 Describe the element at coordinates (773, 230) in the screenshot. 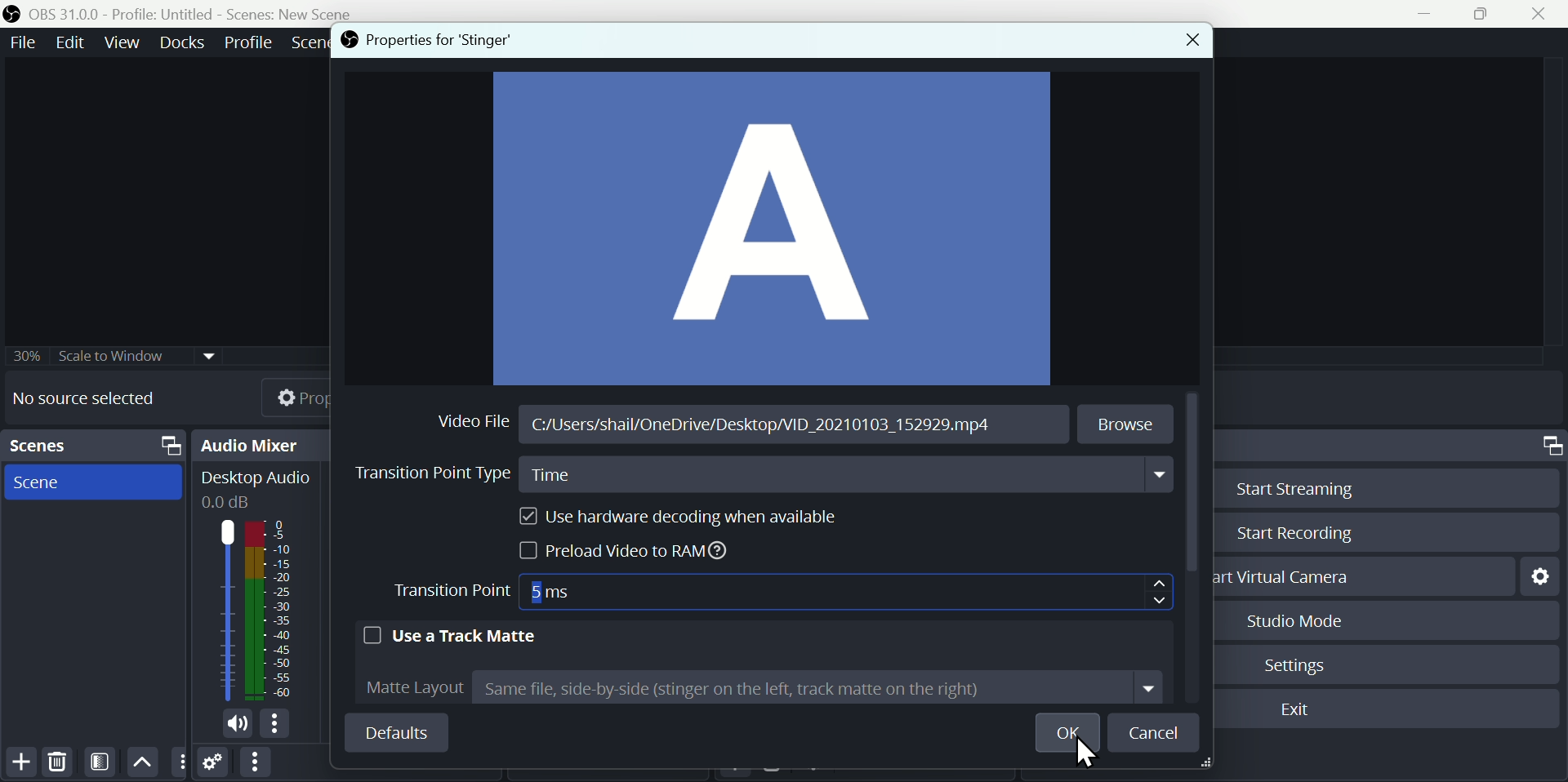

I see `A` at that location.